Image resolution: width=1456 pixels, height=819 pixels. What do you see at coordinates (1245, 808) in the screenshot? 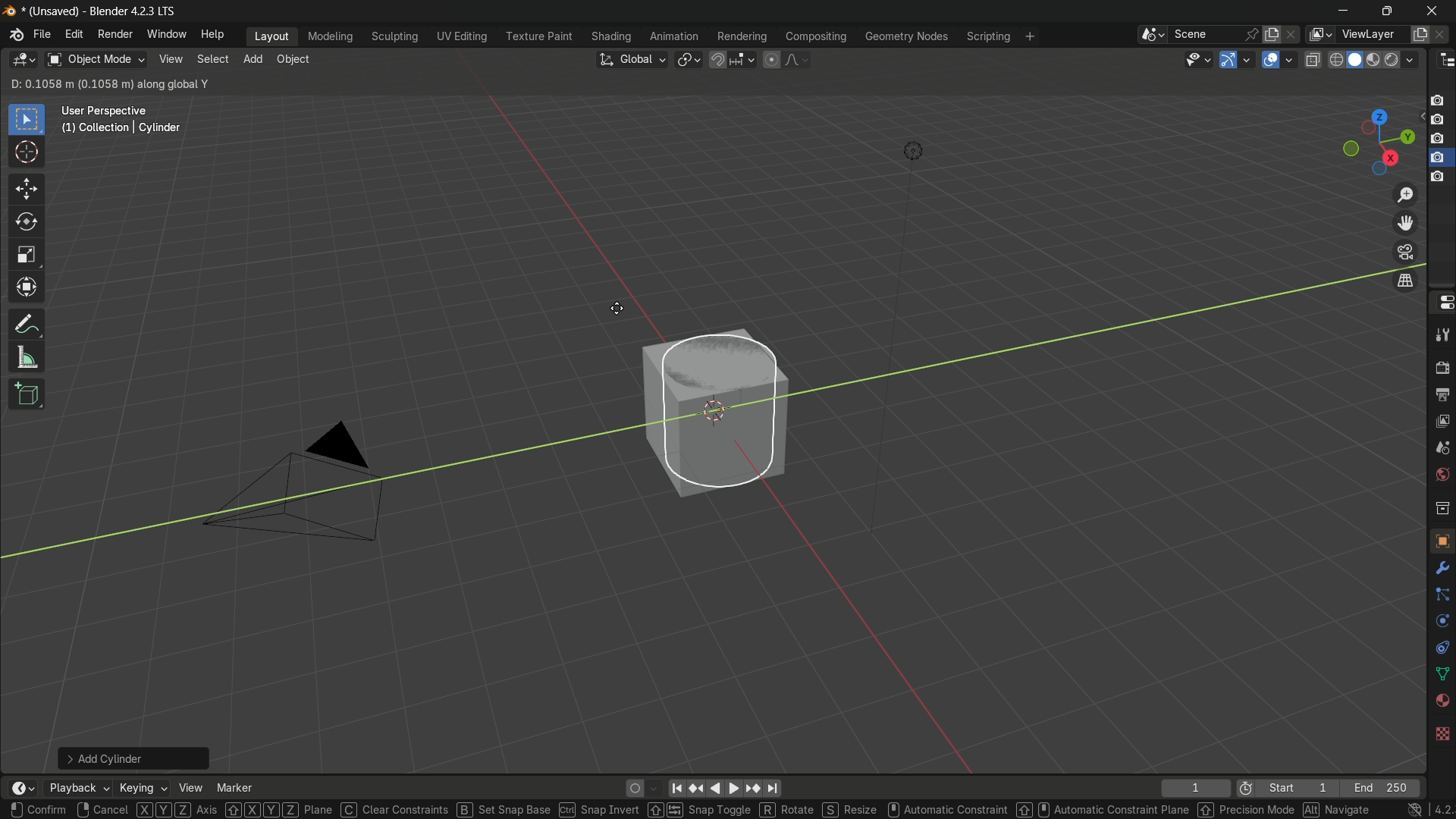
I see `precision mode` at bounding box center [1245, 808].